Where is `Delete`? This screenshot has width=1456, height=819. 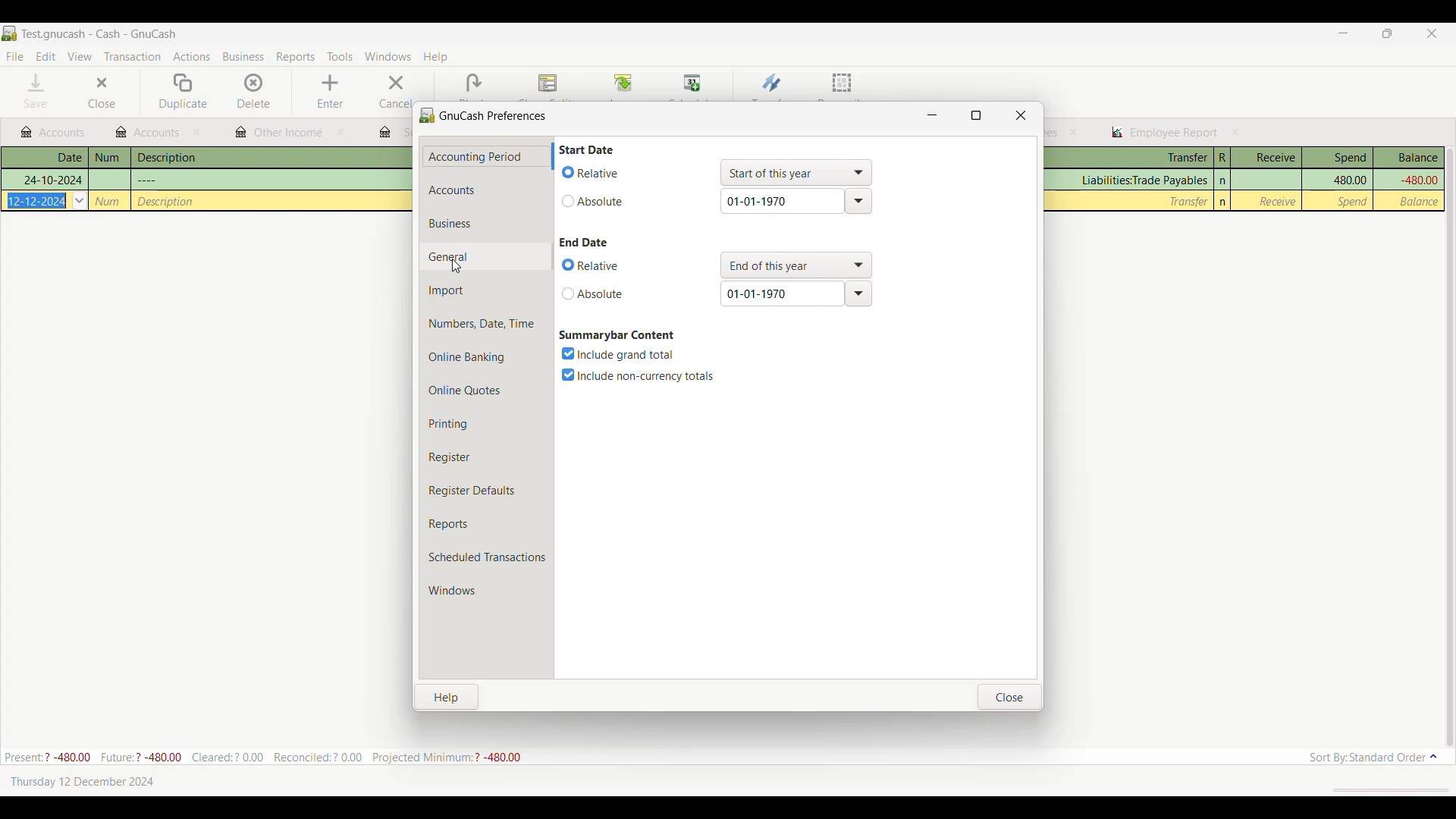 Delete is located at coordinates (255, 91).